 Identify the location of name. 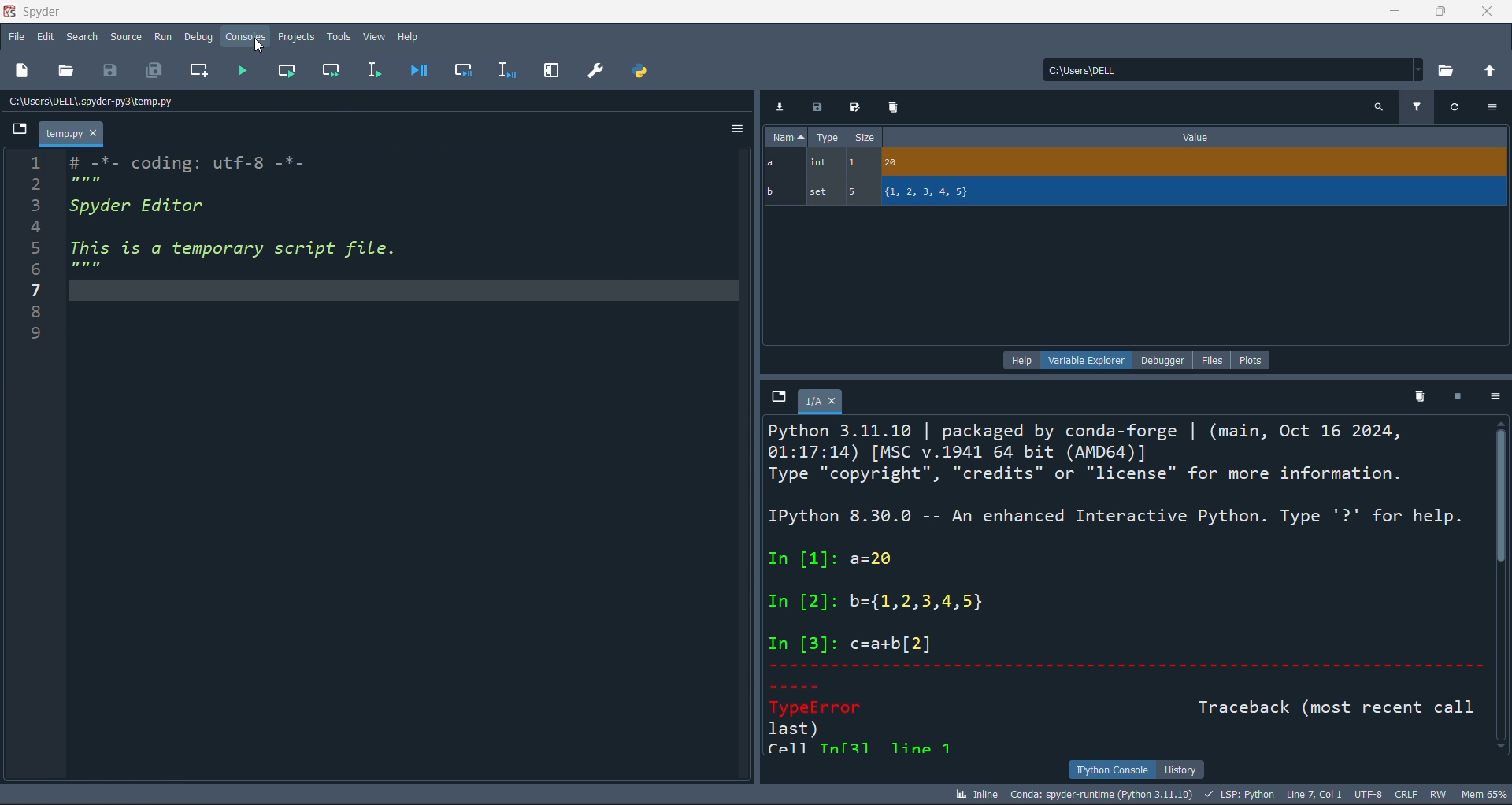
(786, 136).